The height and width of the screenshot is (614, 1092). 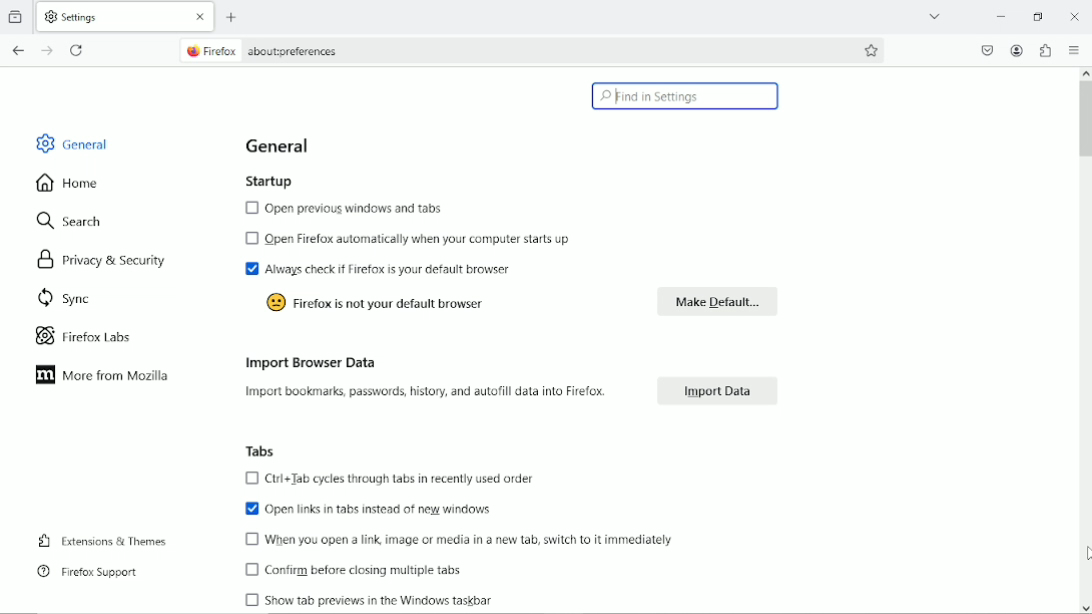 I want to click on scroll up, so click(x=1085, y=74).